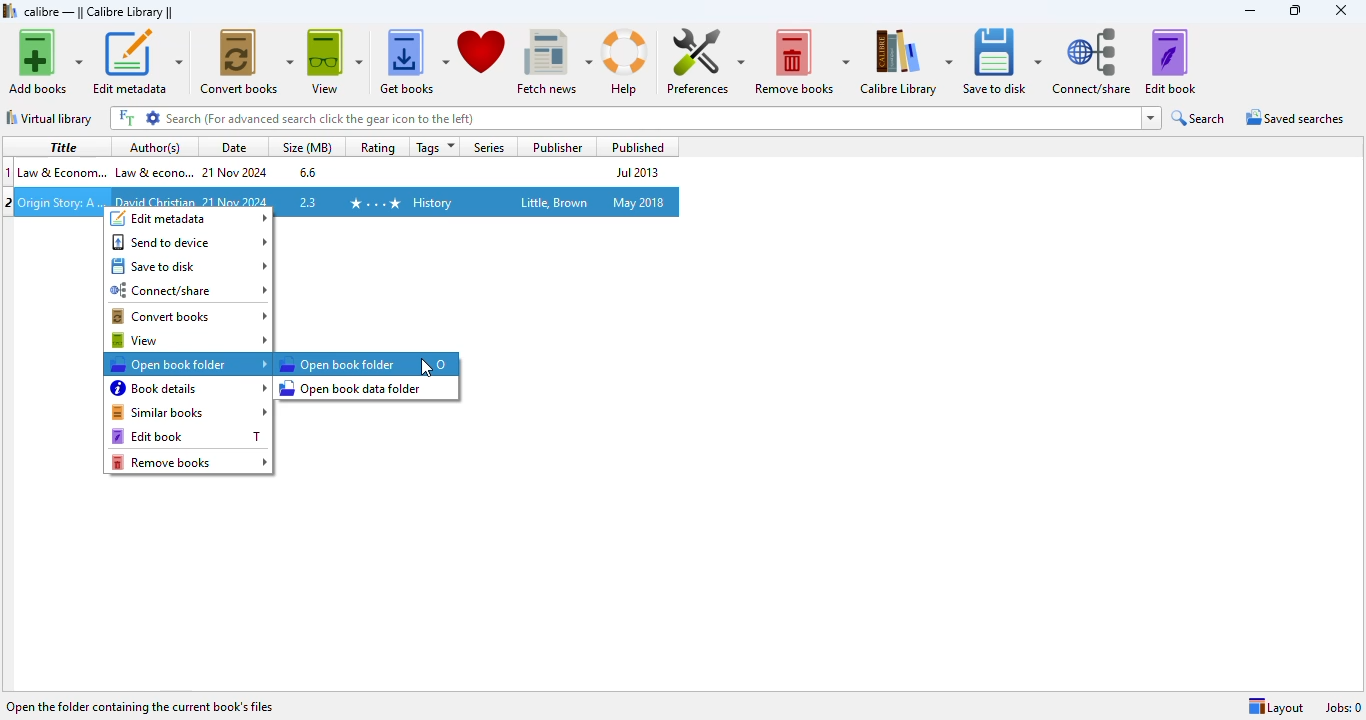  I want to click on little, brown, so click(555, 202).